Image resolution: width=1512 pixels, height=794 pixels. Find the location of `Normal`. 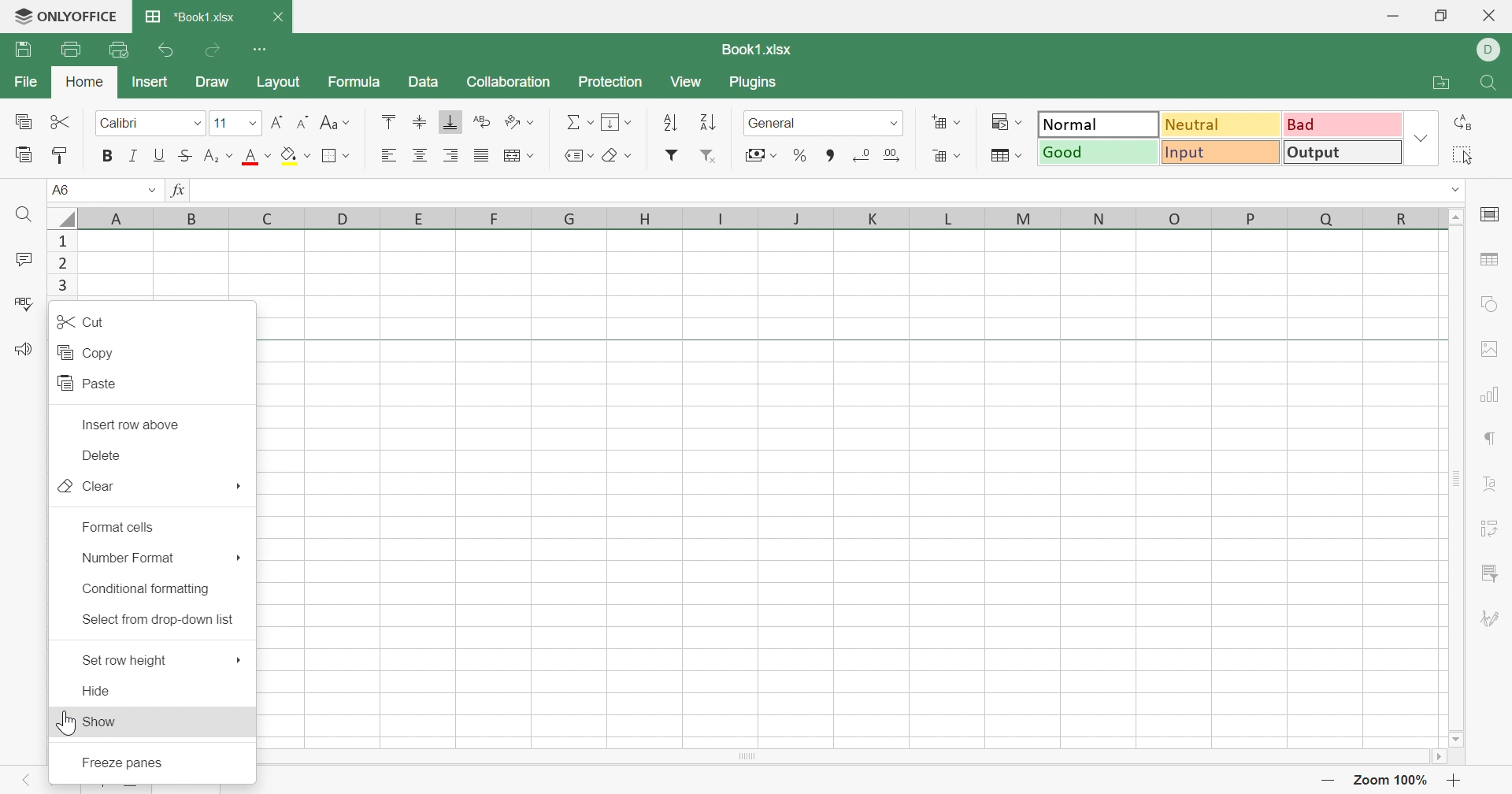

Normal is located at coordinates (1094, 124).